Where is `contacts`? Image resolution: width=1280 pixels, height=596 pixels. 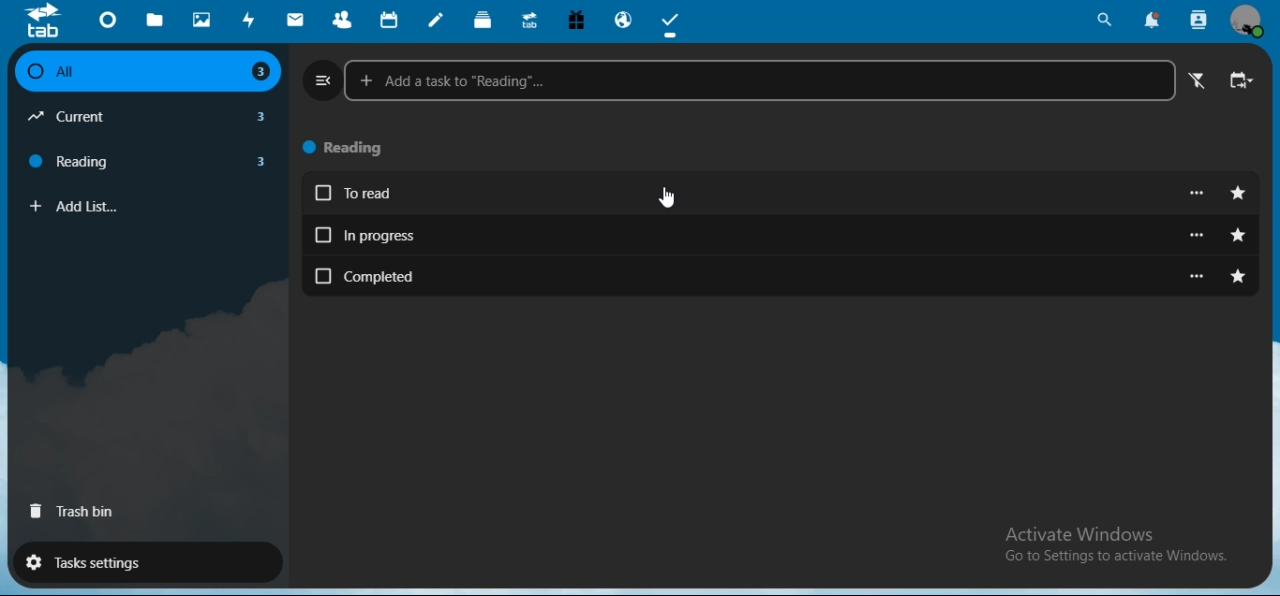
contacts is located at coordinates (339, 20).